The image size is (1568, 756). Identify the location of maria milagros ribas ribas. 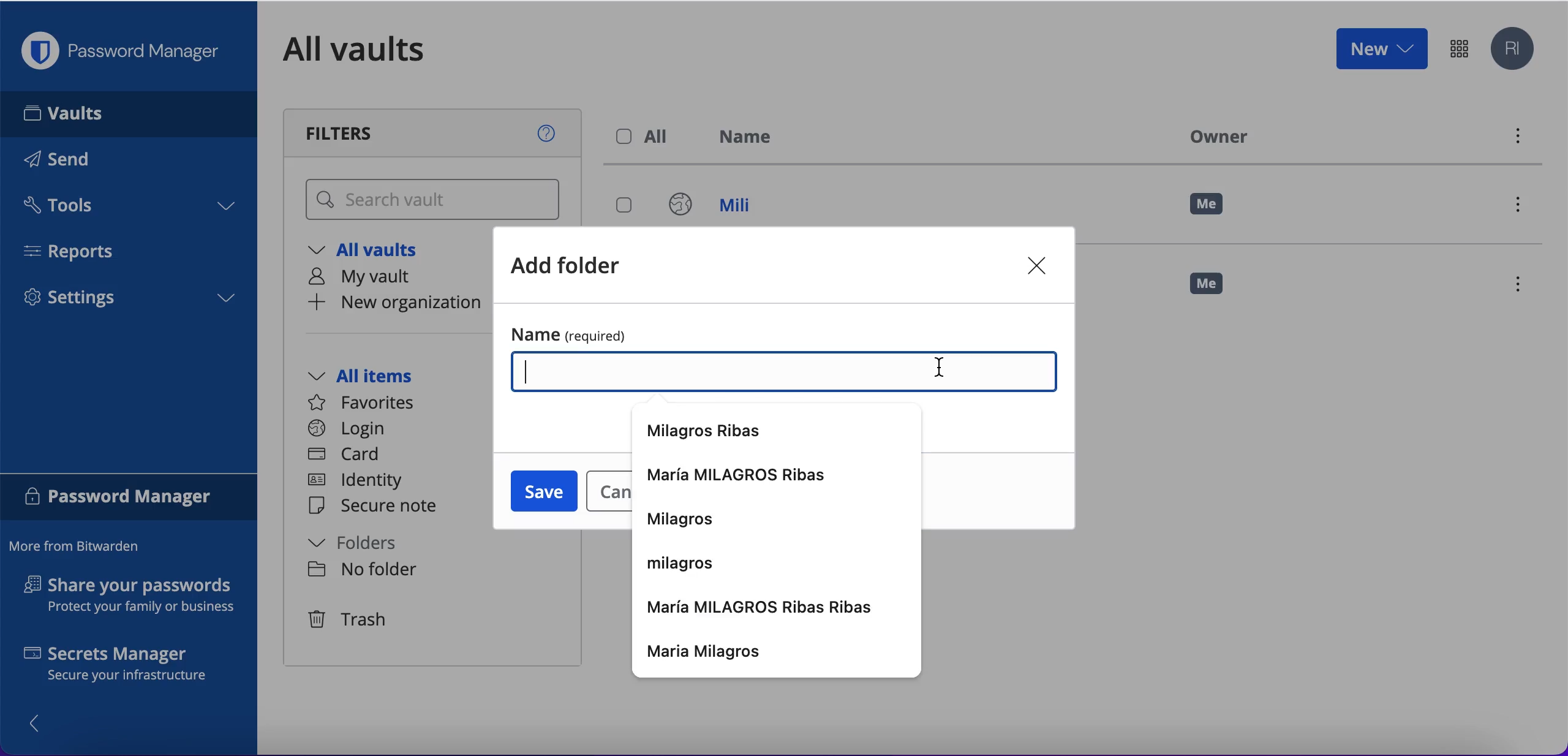
(765, 607).